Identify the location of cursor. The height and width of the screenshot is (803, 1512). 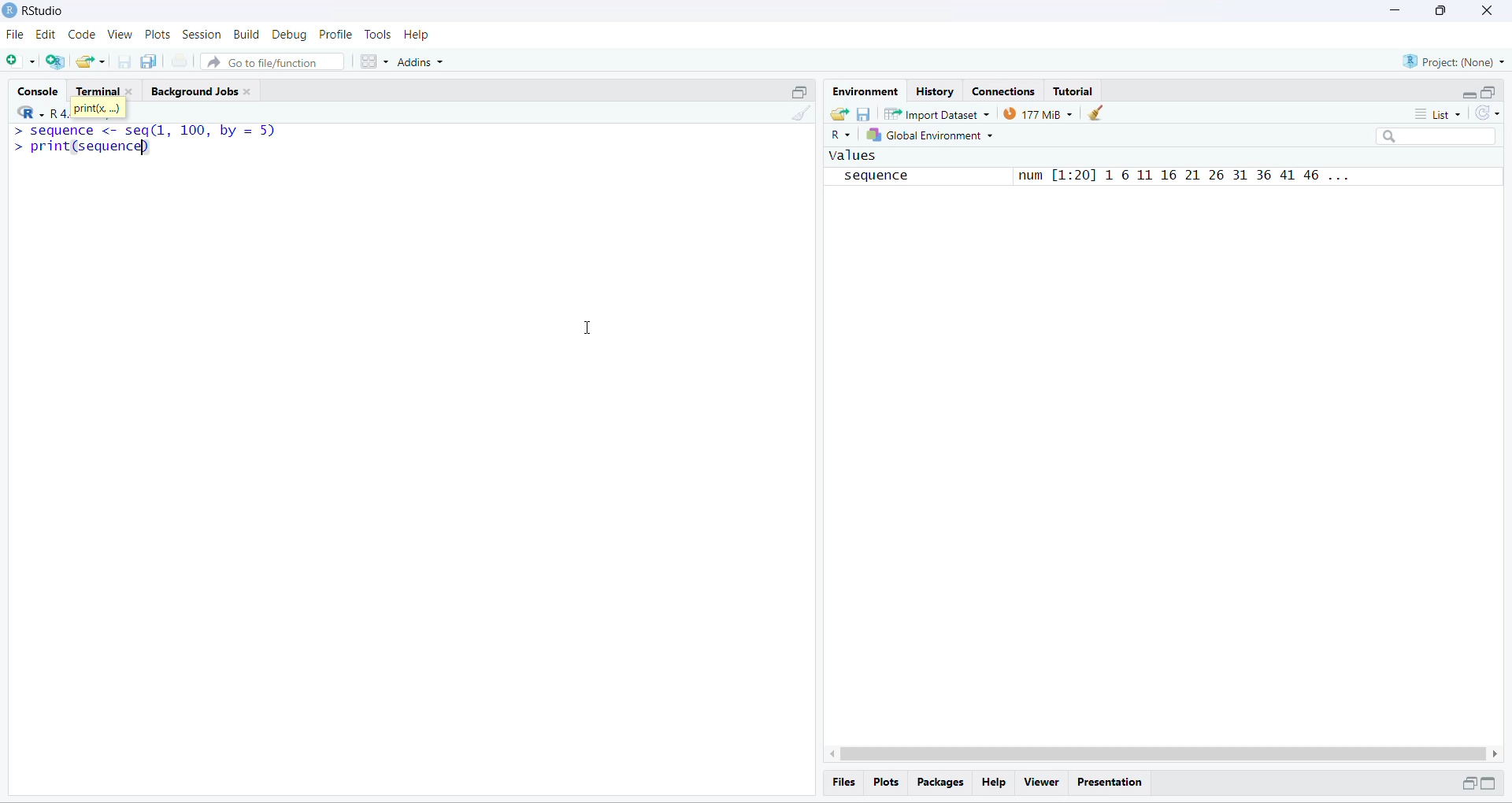
(585, 328).